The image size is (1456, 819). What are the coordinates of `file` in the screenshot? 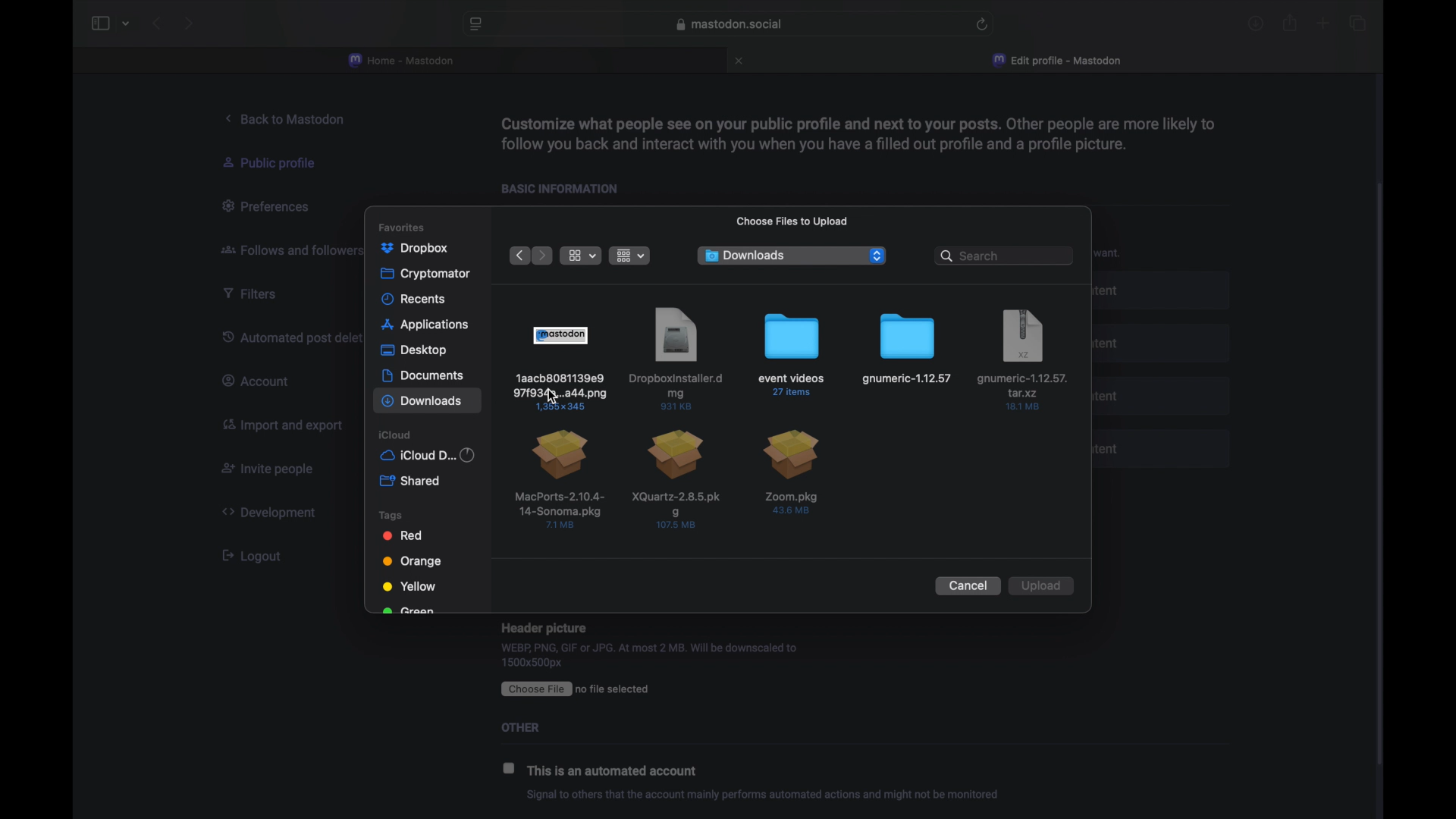 It's located at (677, 358).